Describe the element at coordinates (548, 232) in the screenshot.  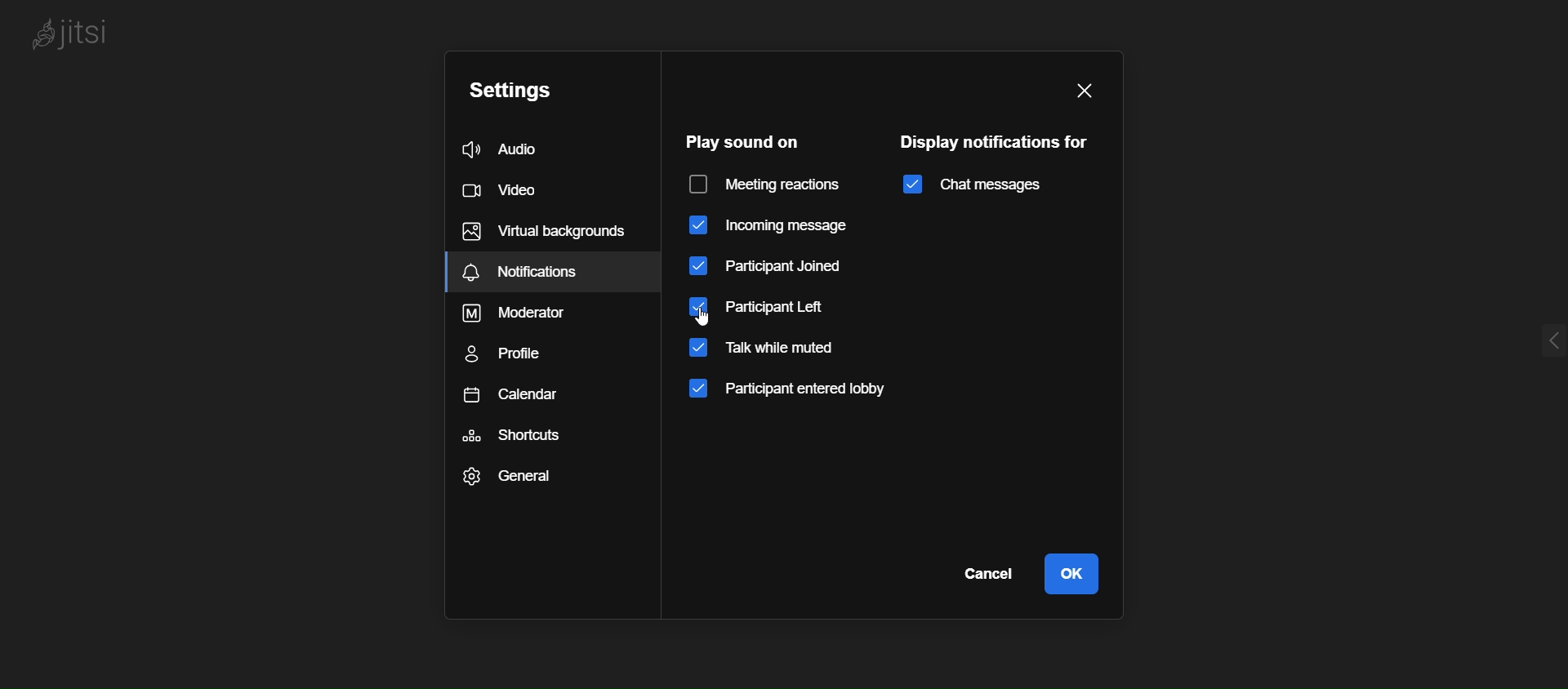
I see `virtual background` at that location.